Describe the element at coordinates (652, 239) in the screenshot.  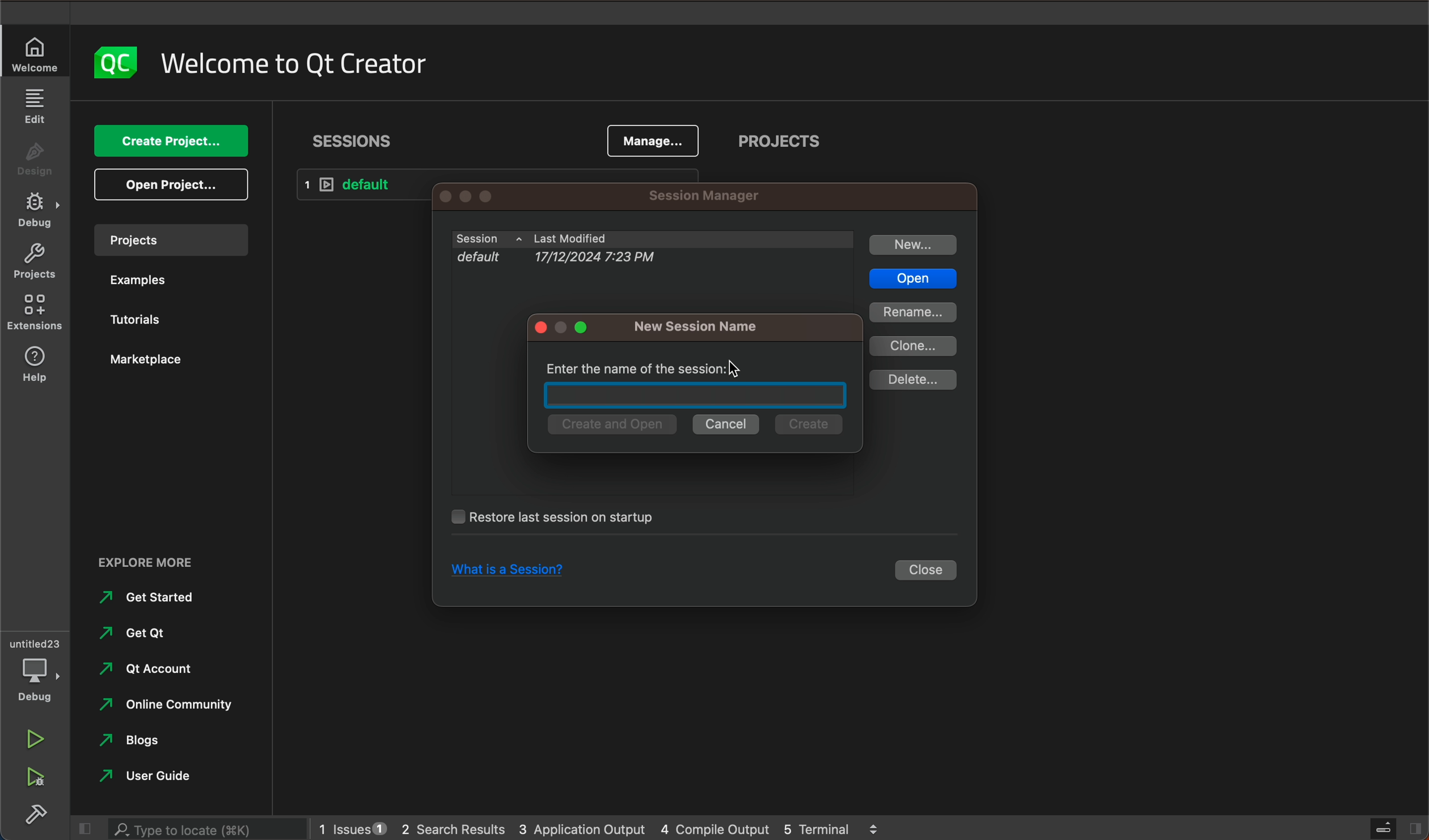
I see `sessions , last modified` at that location.